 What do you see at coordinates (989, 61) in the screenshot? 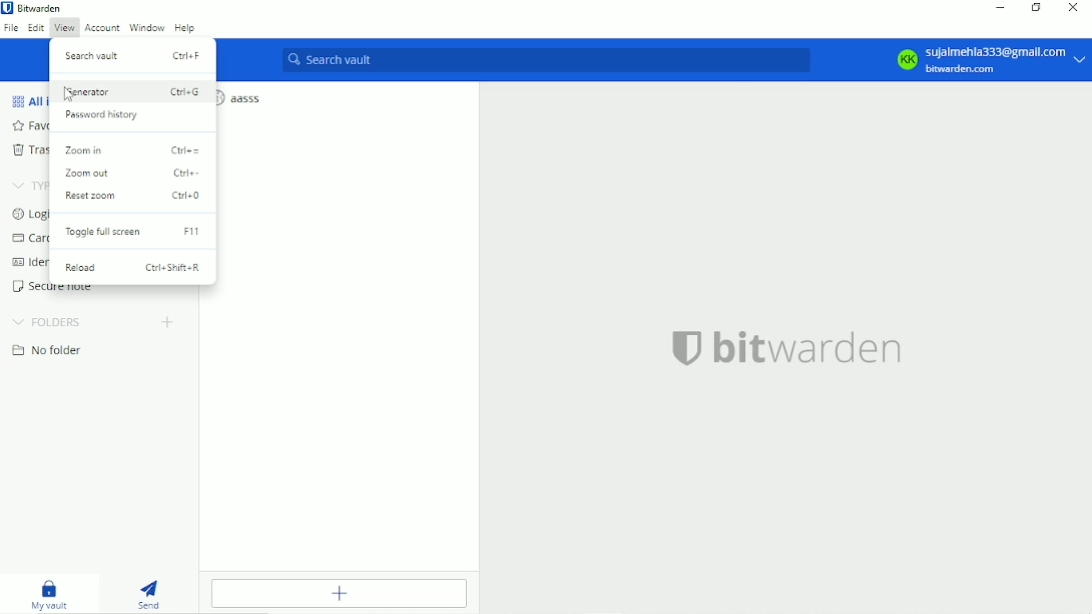
I see `Account` at bounding box center [989, 61].